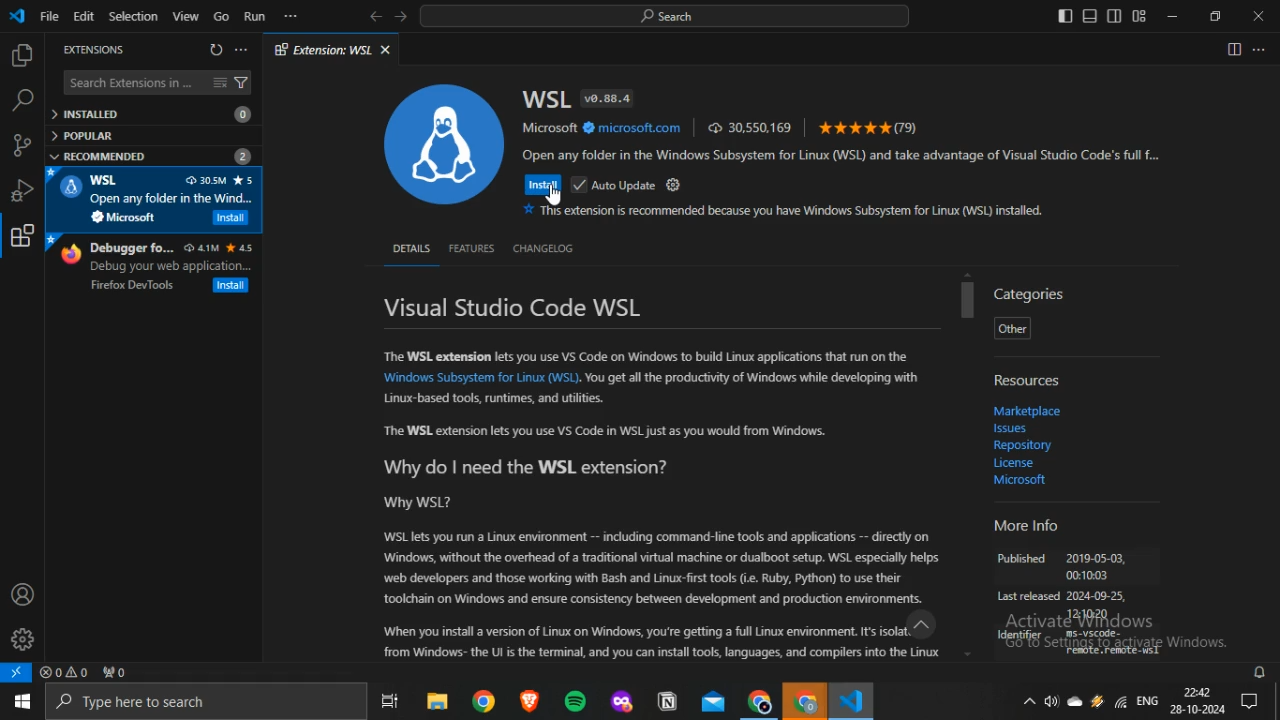  What do you see at coordinates (419, 503) in the screenshot?
I see `Why WSL?` at bounding box center [419, 503].